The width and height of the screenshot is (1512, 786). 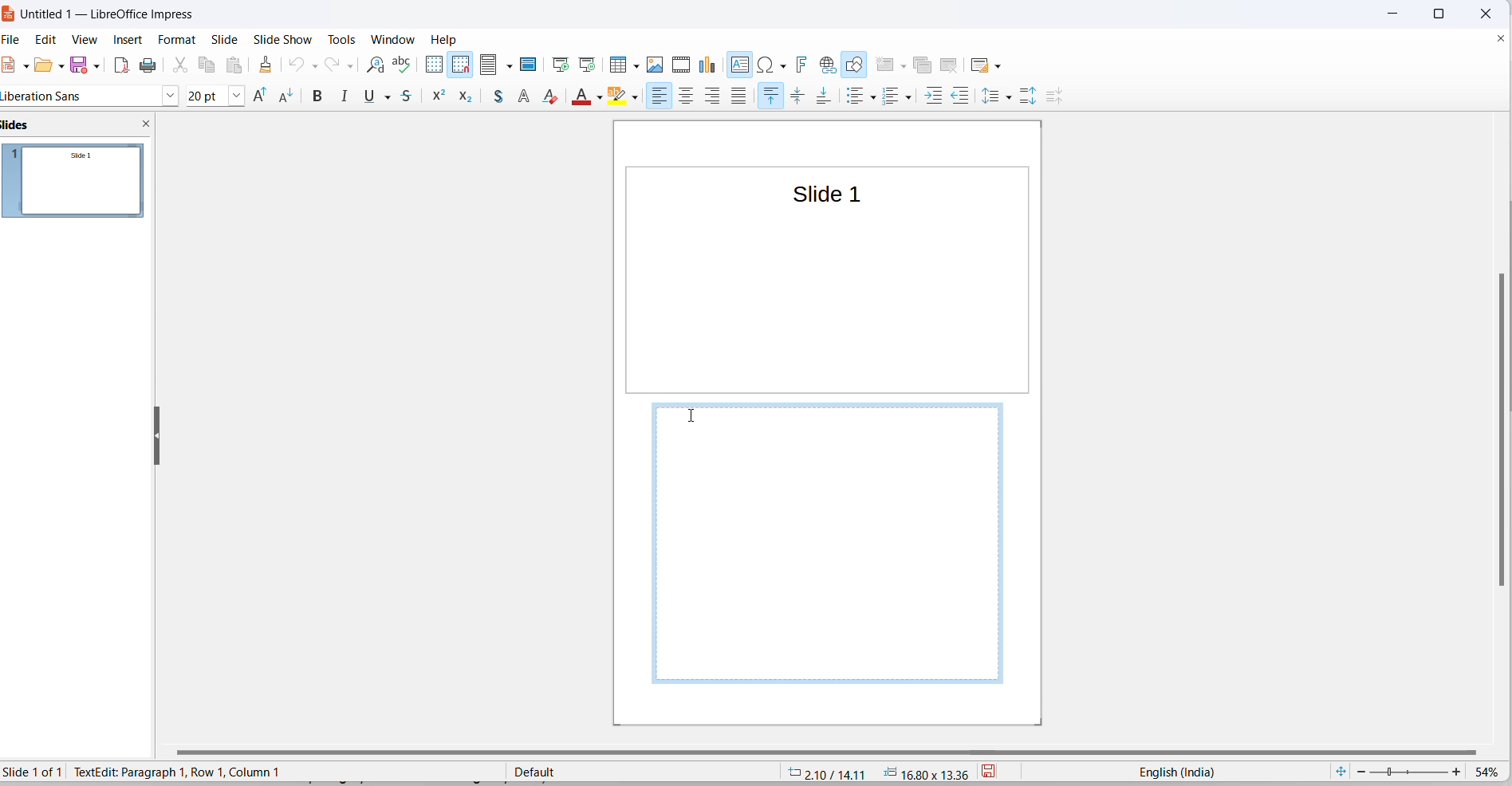 I want to click on align options, so click(x=636, y=99).